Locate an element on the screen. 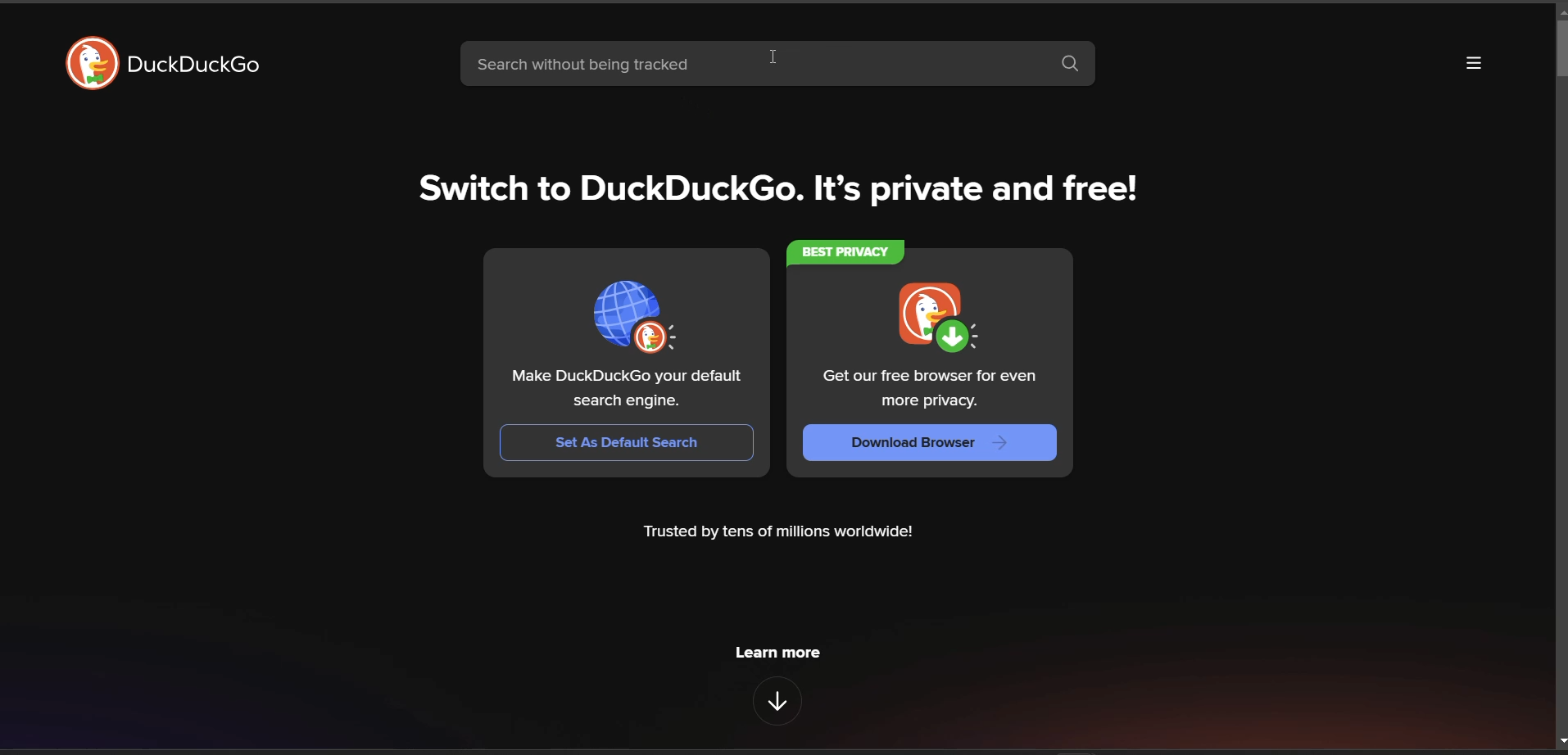 This screenshot has width=1568, height=755. more options is located at coordinates (1471, 67).